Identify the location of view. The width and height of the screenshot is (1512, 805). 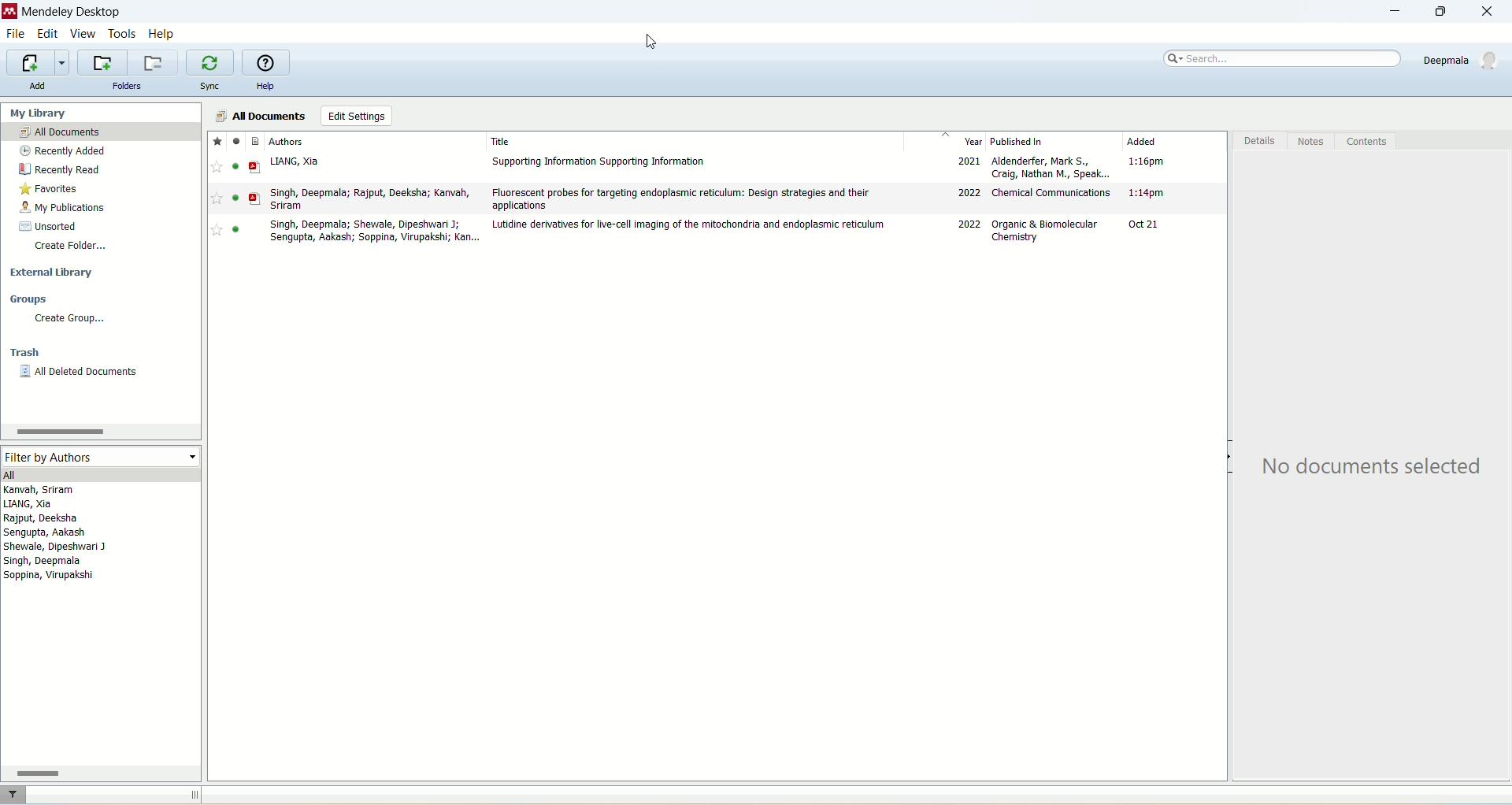
(82, 32).